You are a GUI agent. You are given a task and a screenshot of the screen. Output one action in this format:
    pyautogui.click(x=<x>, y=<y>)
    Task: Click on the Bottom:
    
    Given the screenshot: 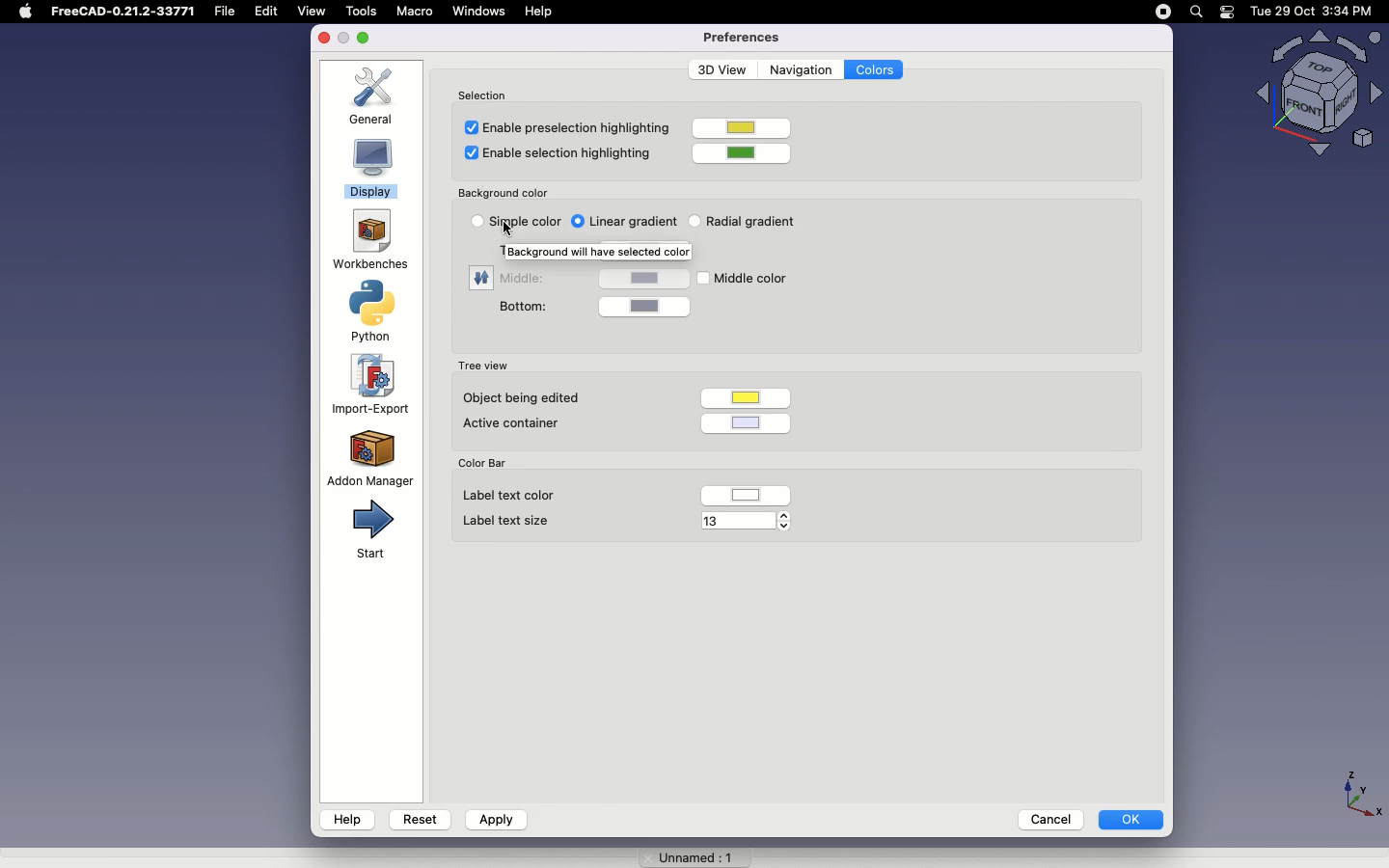 What is the action you would take?
    pyautogui.click(x=524, y=307)
    